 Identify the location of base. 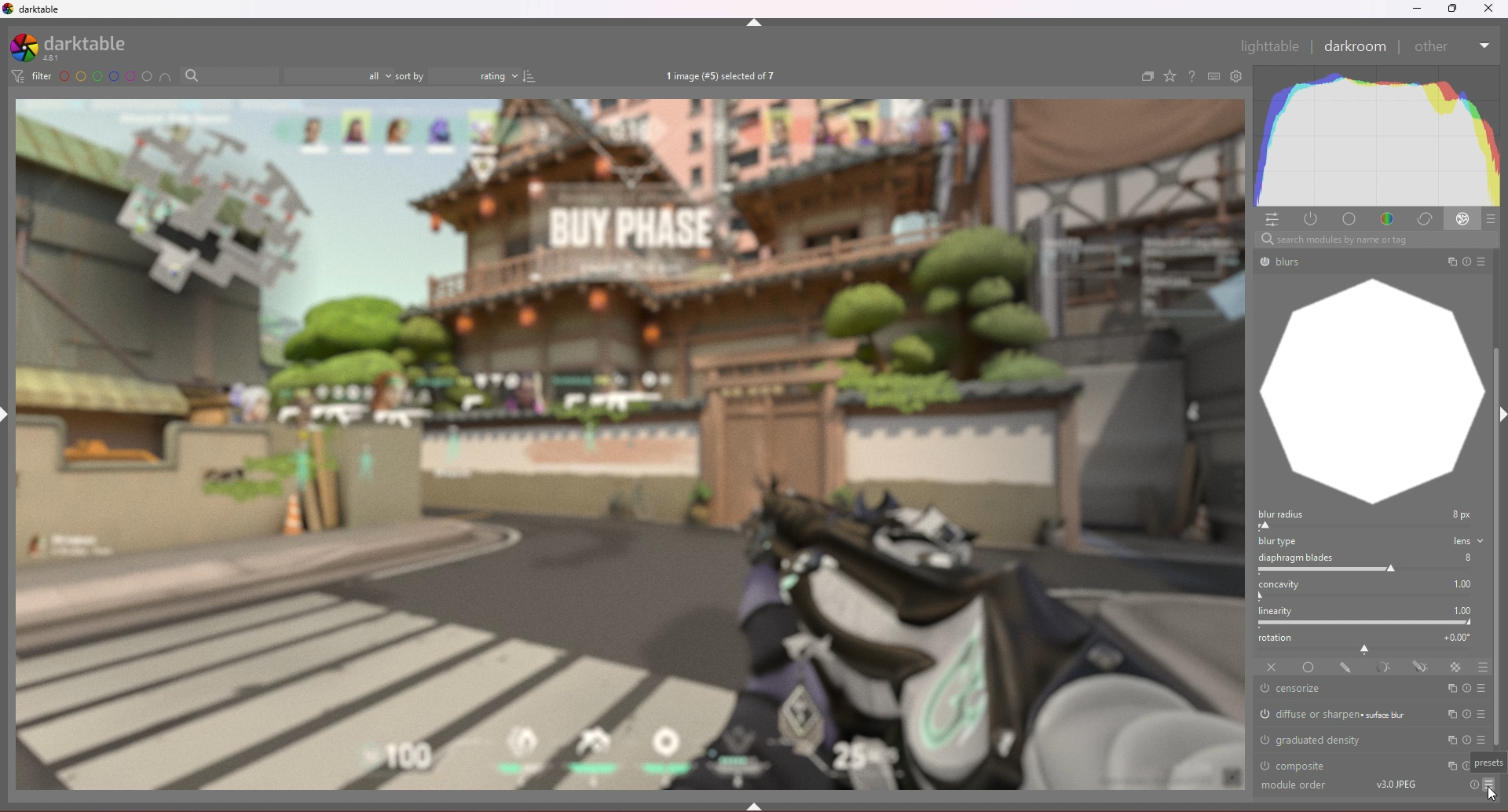
(1352, 219).